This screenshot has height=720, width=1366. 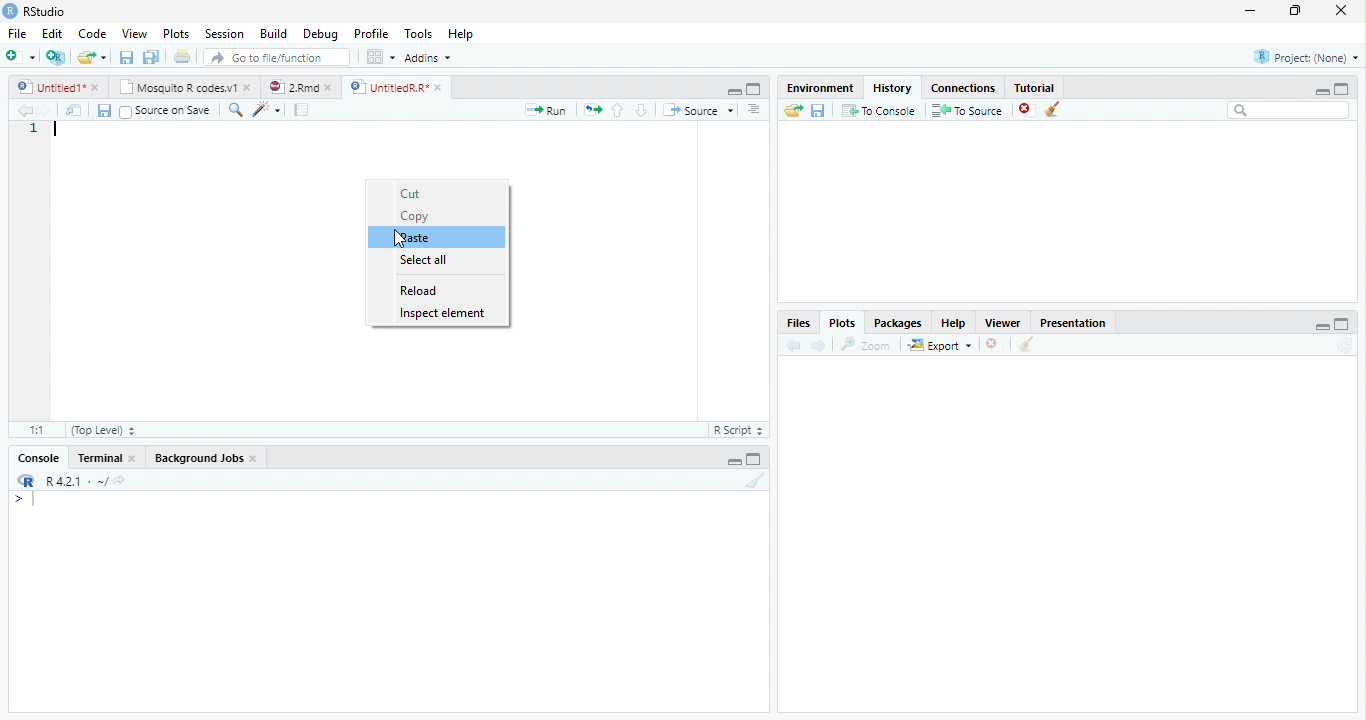 I want to click on GO to file/function, so click(x=273, y=57).